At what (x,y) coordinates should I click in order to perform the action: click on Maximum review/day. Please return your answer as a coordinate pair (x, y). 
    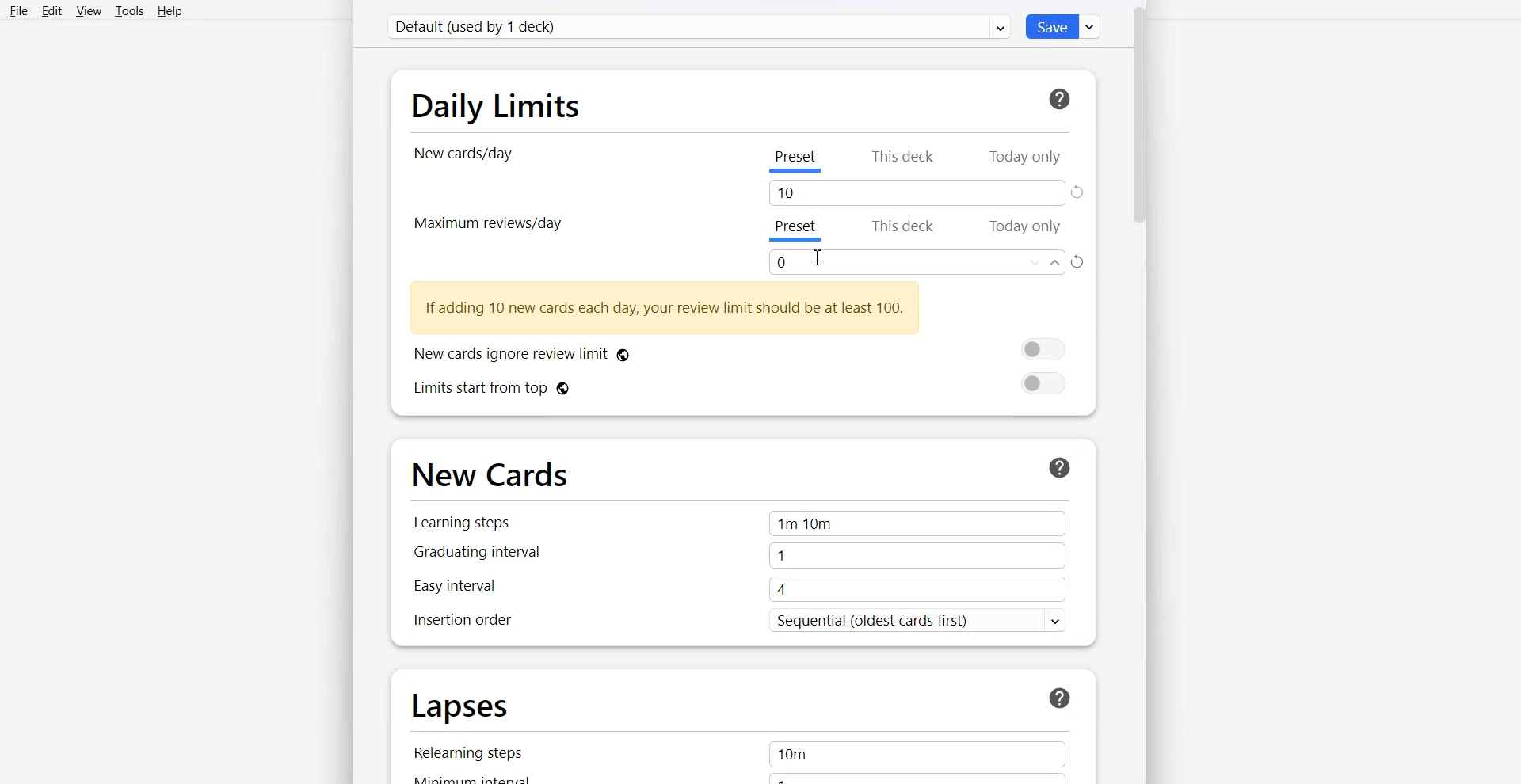
    Looking at the image, I should click on (486, 223).